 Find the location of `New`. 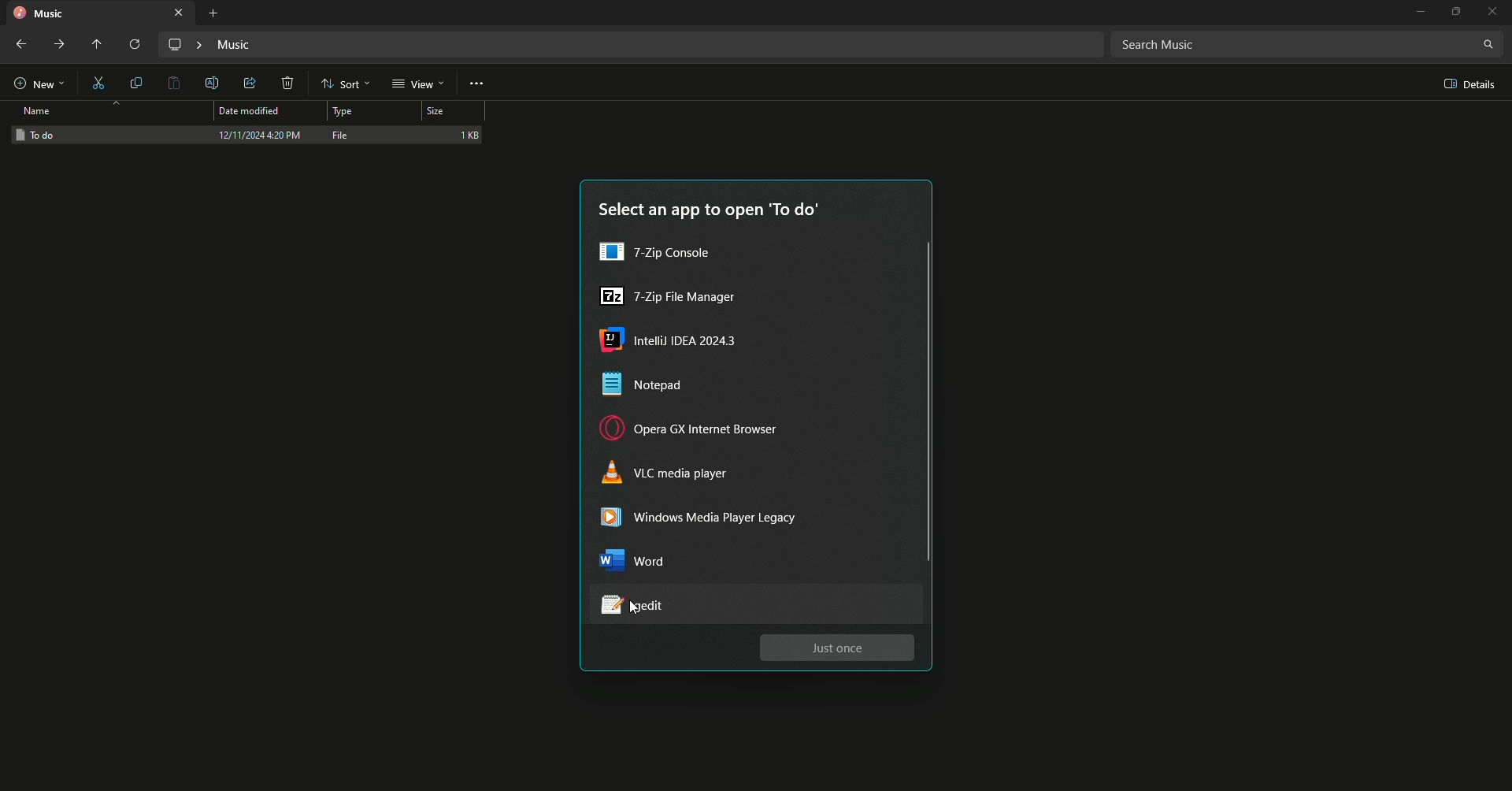

New is located at coordinates (39, 83).